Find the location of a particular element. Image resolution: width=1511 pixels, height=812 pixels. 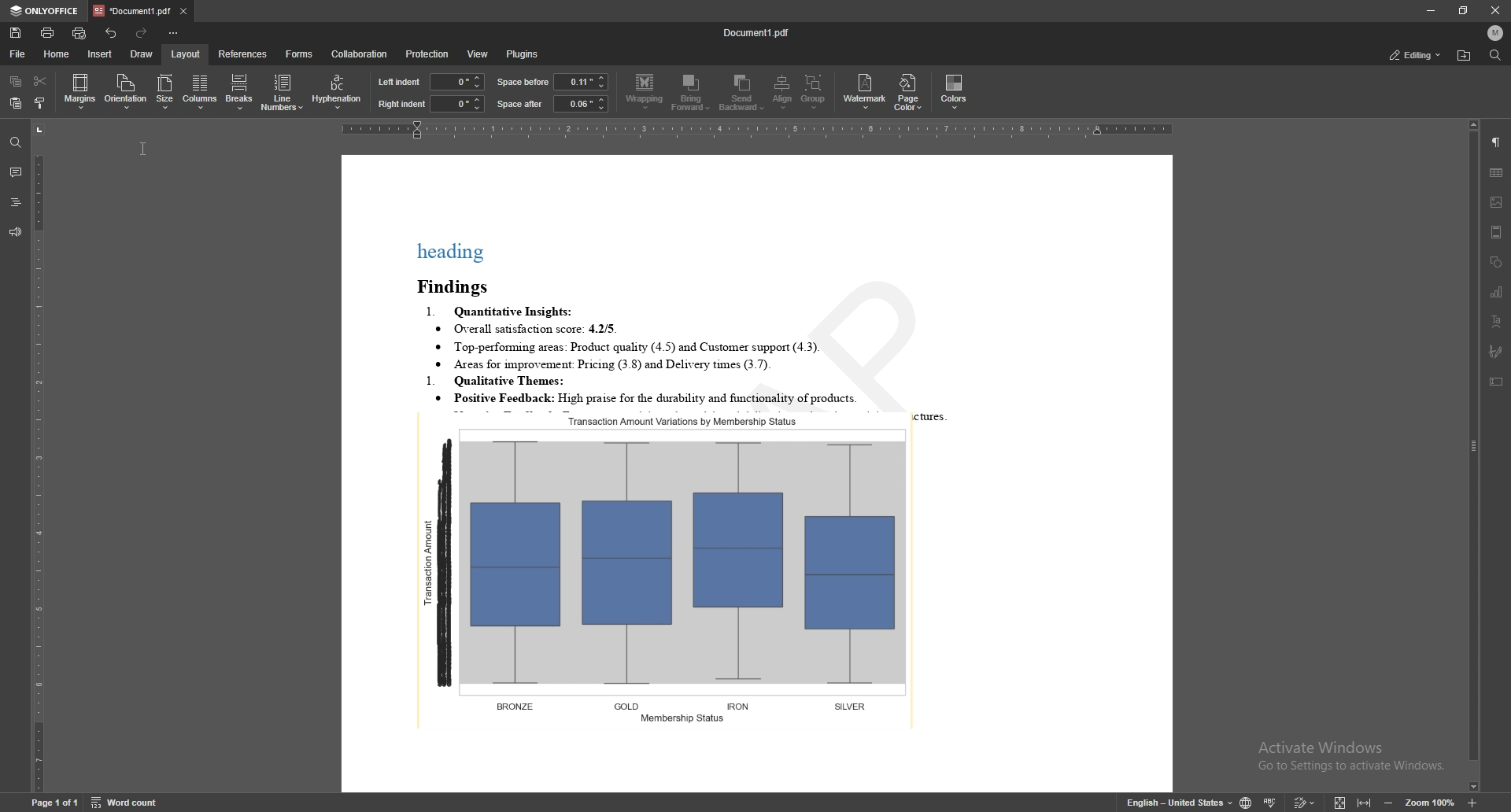

quick print is located at coordinates (79, 33).